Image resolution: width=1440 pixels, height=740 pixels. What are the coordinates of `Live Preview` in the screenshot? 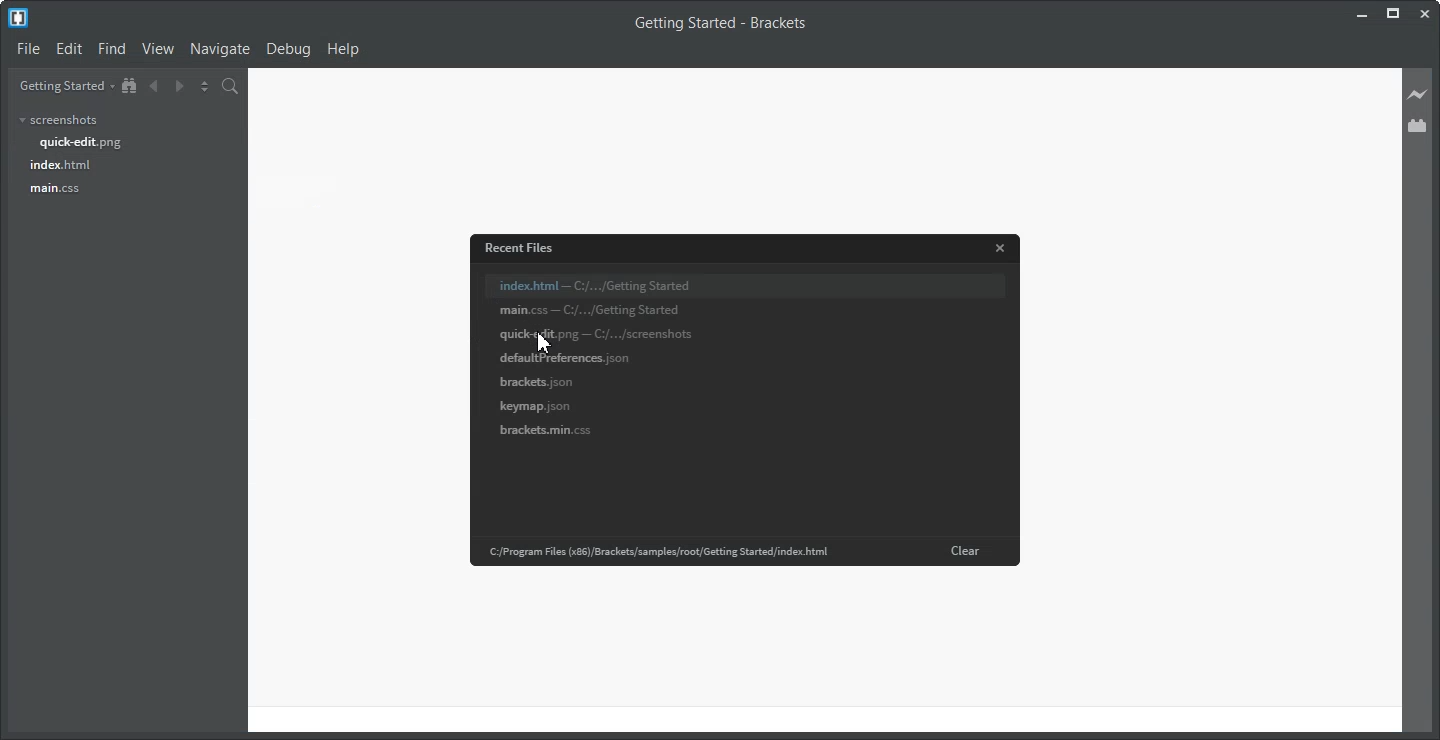 It's located at (1418, 93).